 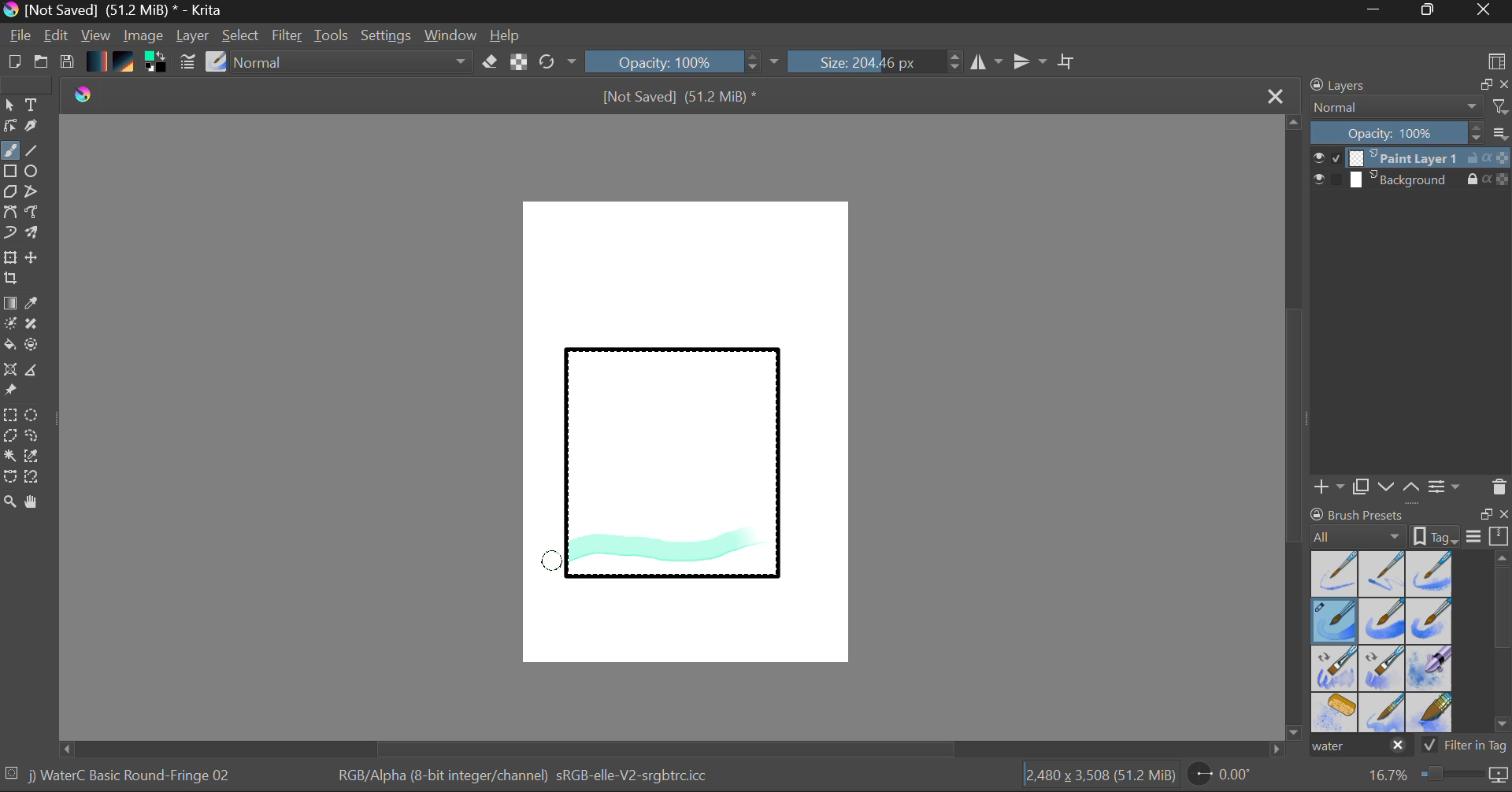 I want to click on Freehand Selection, so click(x=32, y=438).